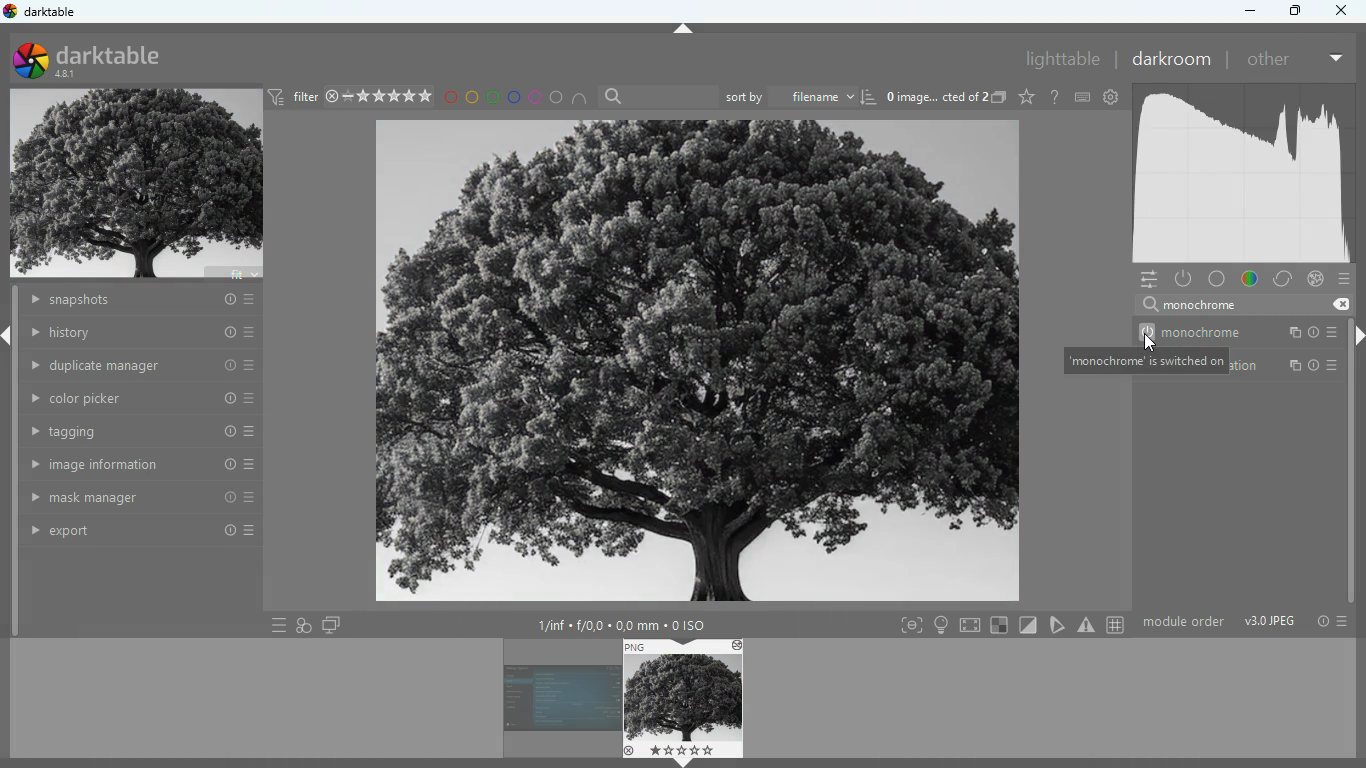 The image size is (1366, 768). I want to click on description, so click(1149, 362).